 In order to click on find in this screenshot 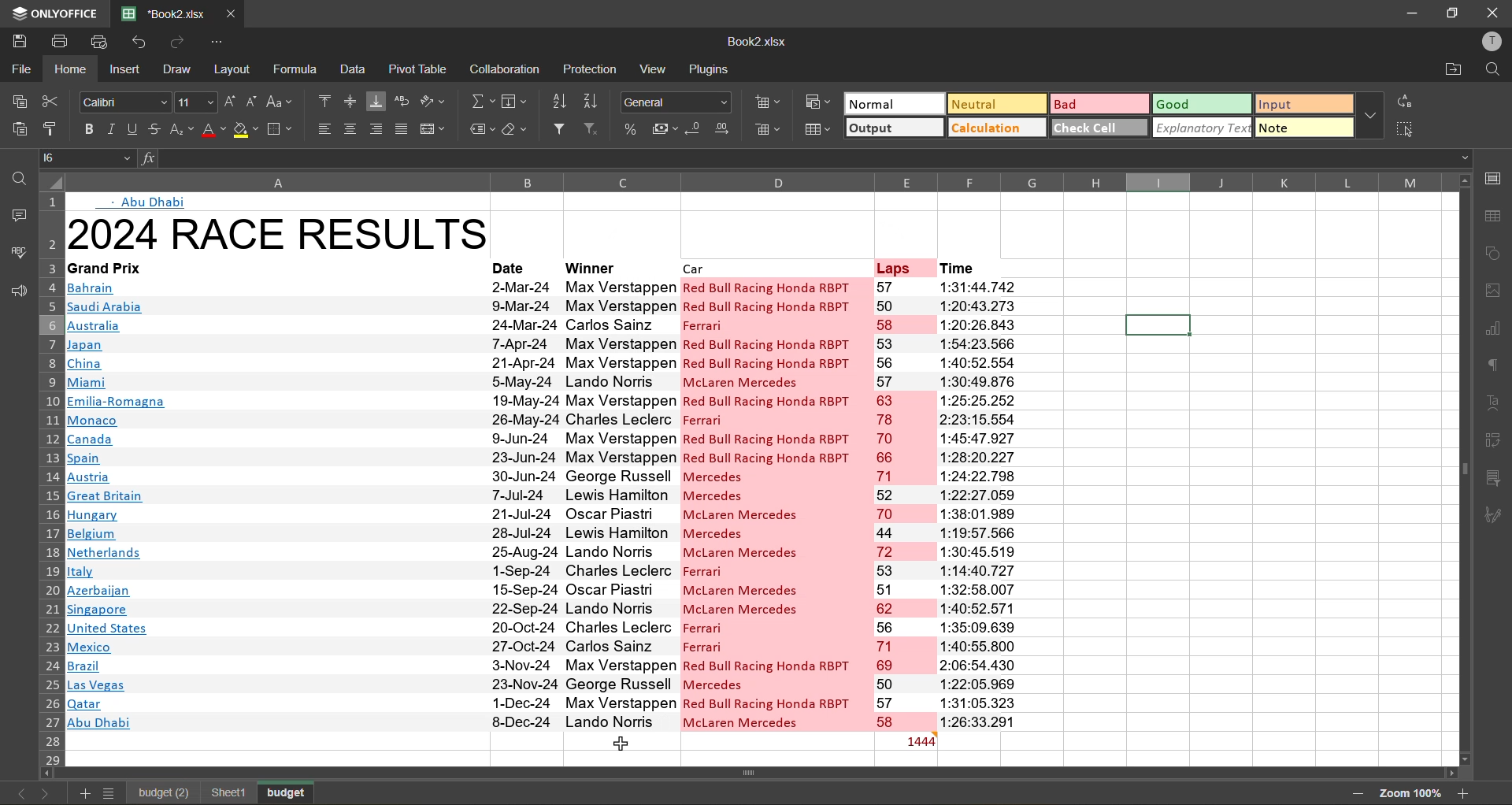, I will do `click(1492, 70)`.